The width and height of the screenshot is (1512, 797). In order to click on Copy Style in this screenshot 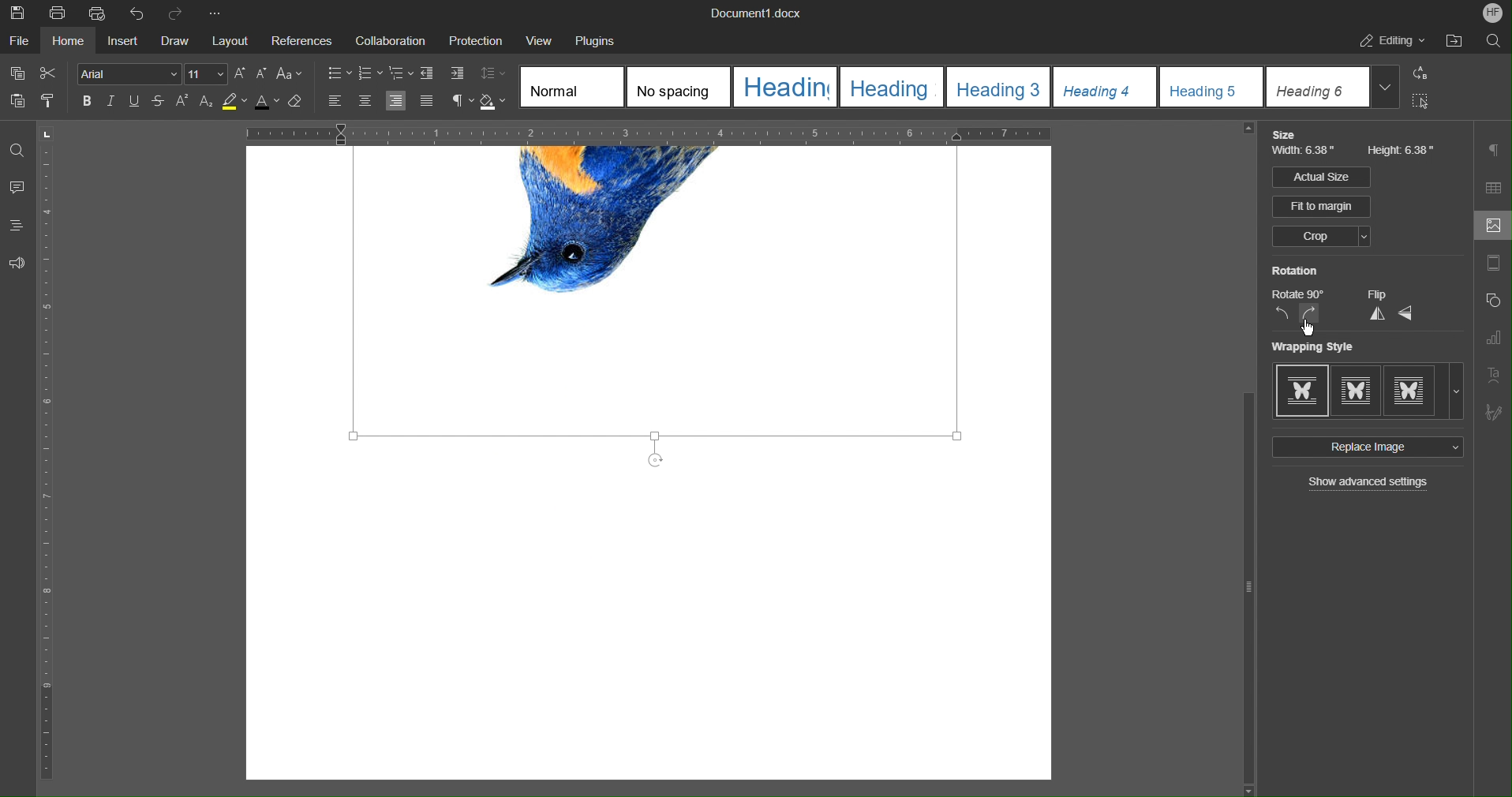, I will do `click(51, 100)`.